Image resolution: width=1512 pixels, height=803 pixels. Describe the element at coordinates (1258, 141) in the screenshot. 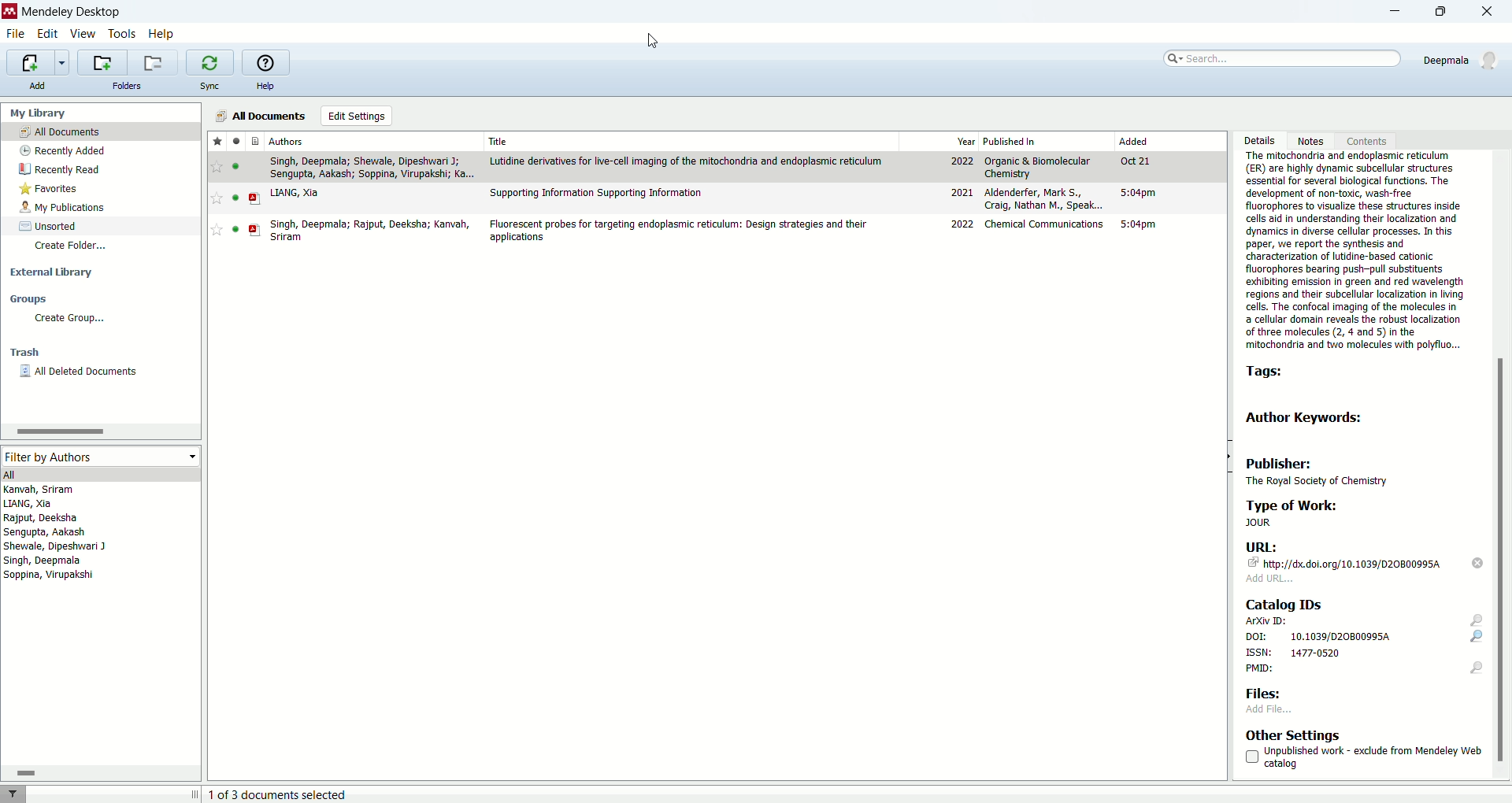

I see `details` at that location.